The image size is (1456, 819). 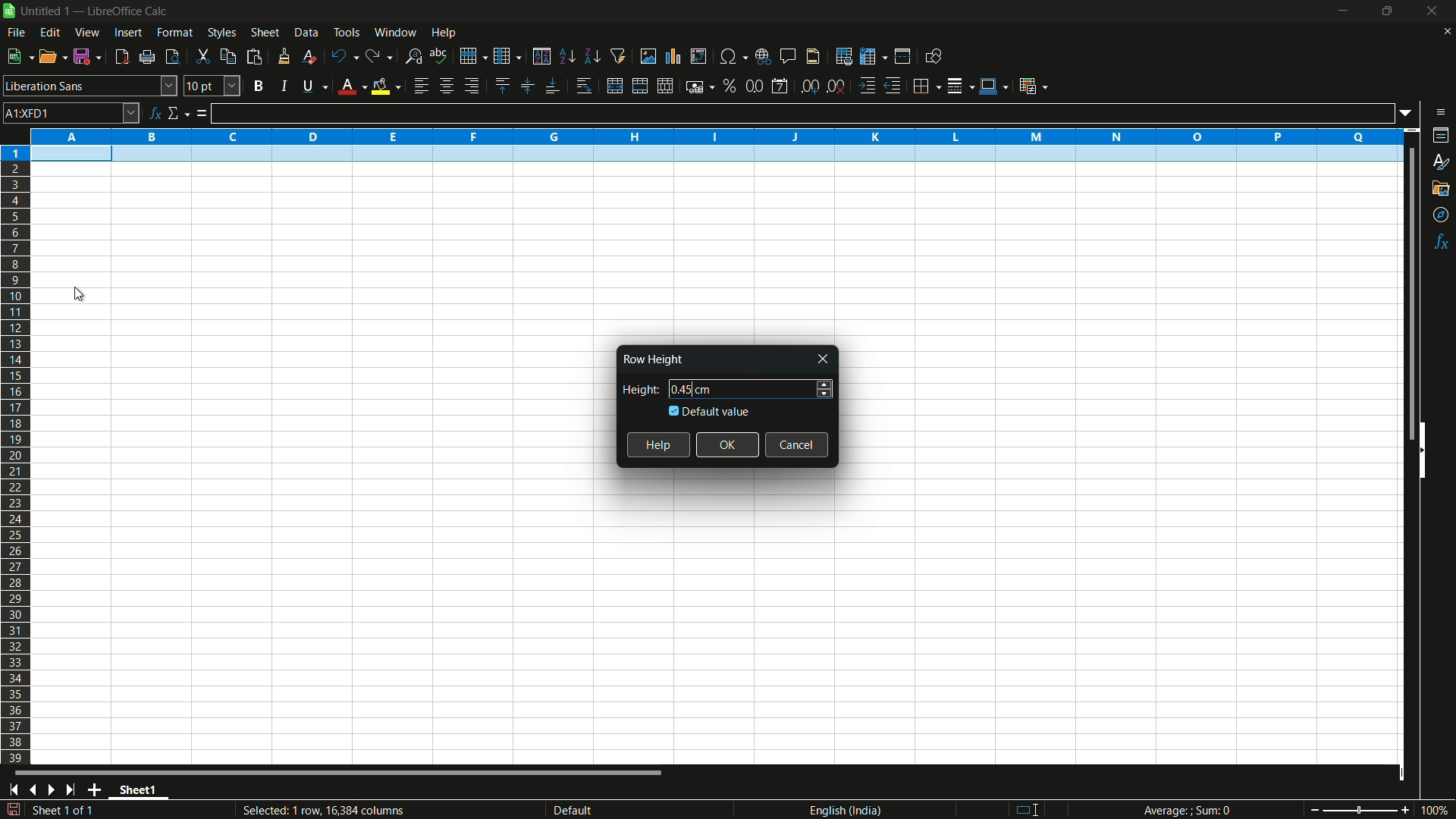 What do you see at coordinates (613, 86) in the screenshot?
I see `merge and center or unmerge depending on the current toggle state` at bounding box center [613, 86].